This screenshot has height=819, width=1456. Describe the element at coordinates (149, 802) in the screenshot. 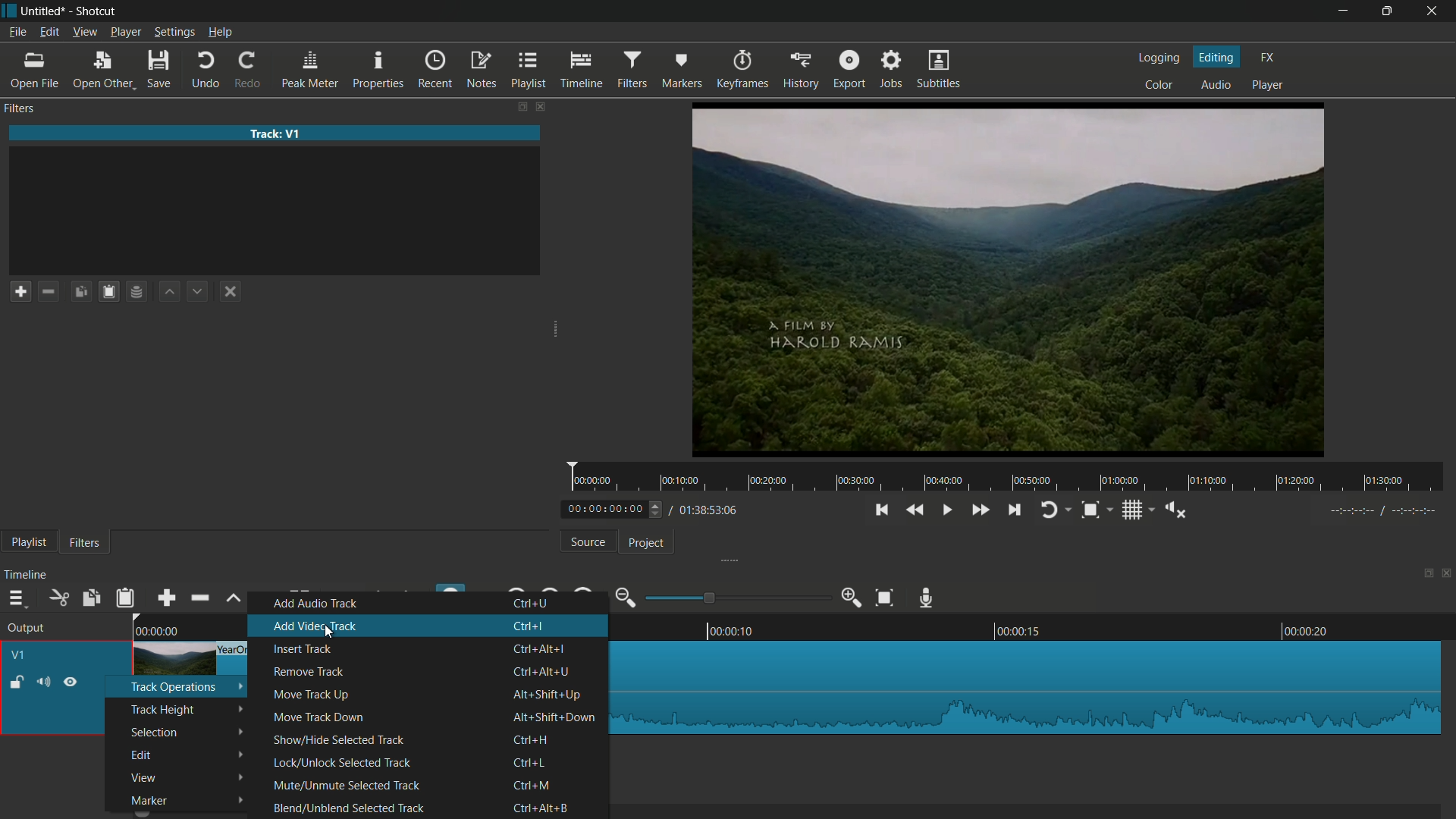

I see `marker` at that location.